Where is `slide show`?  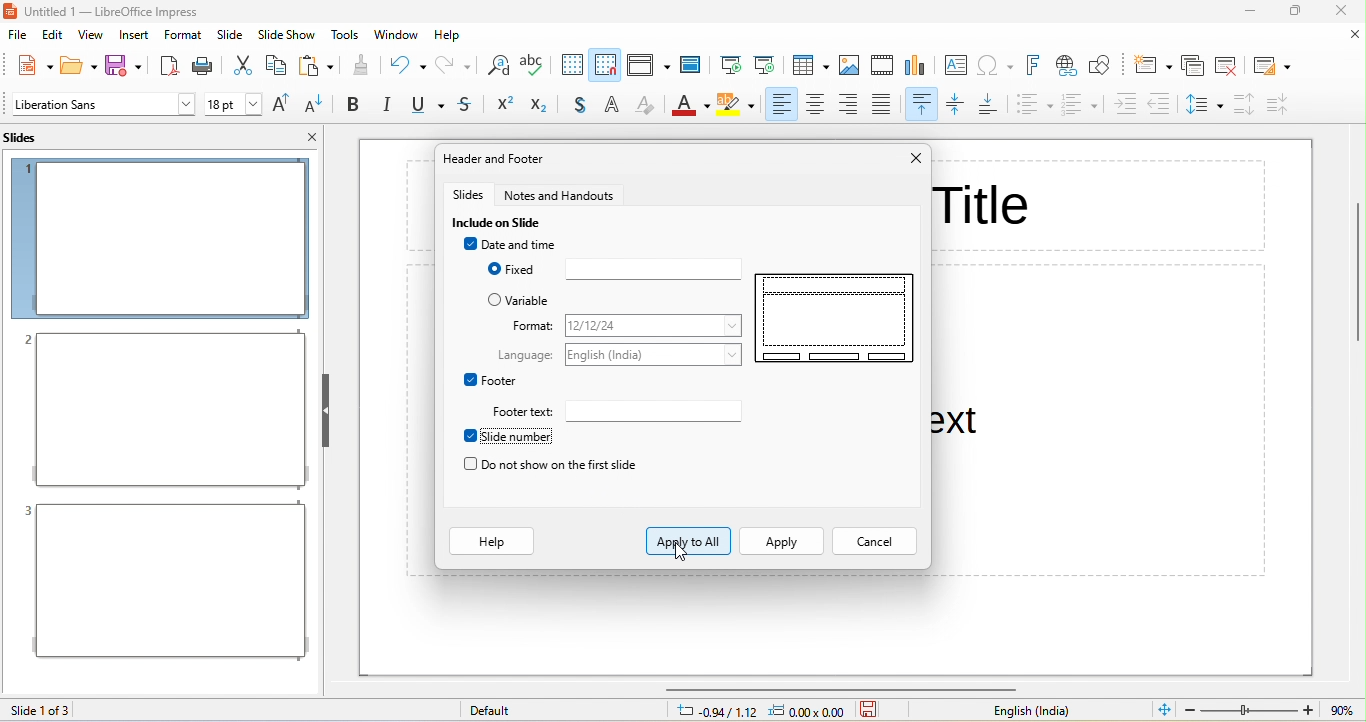
slide show is located at coordinates (287, 35).